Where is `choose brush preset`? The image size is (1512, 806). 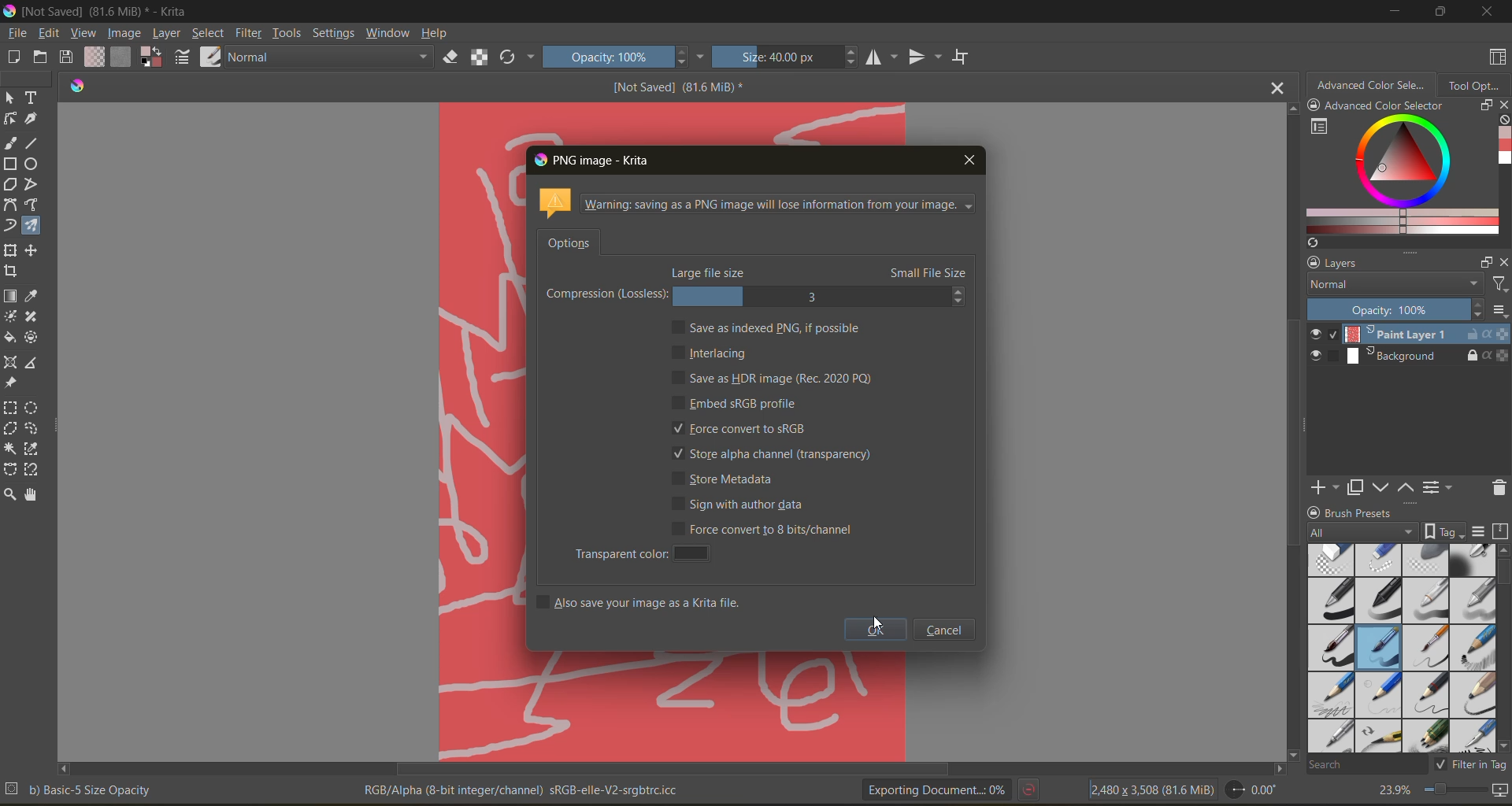 choose brush preset is located at coordinates (209, 56).